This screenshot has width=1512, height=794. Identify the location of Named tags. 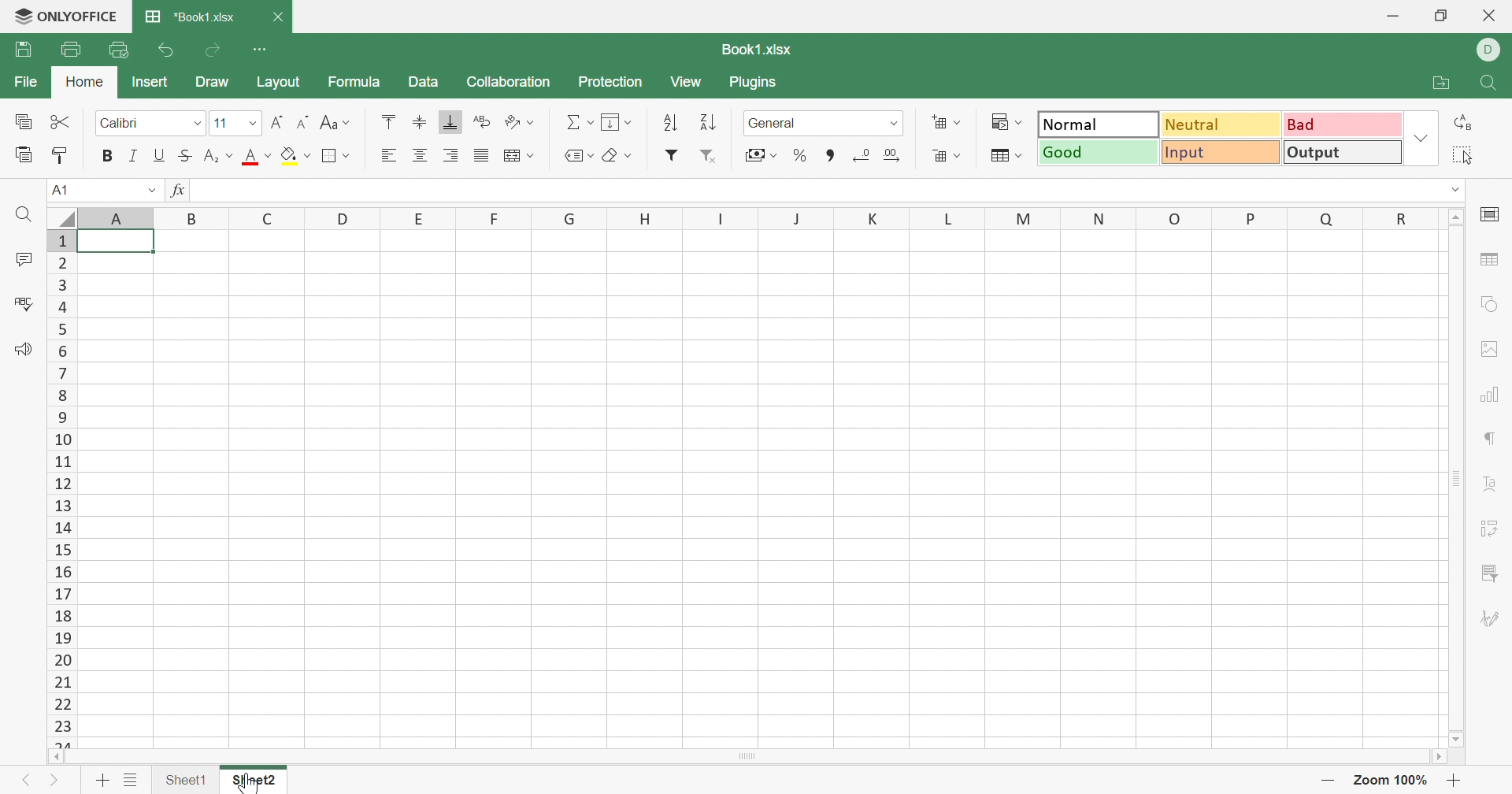
(576, 154).